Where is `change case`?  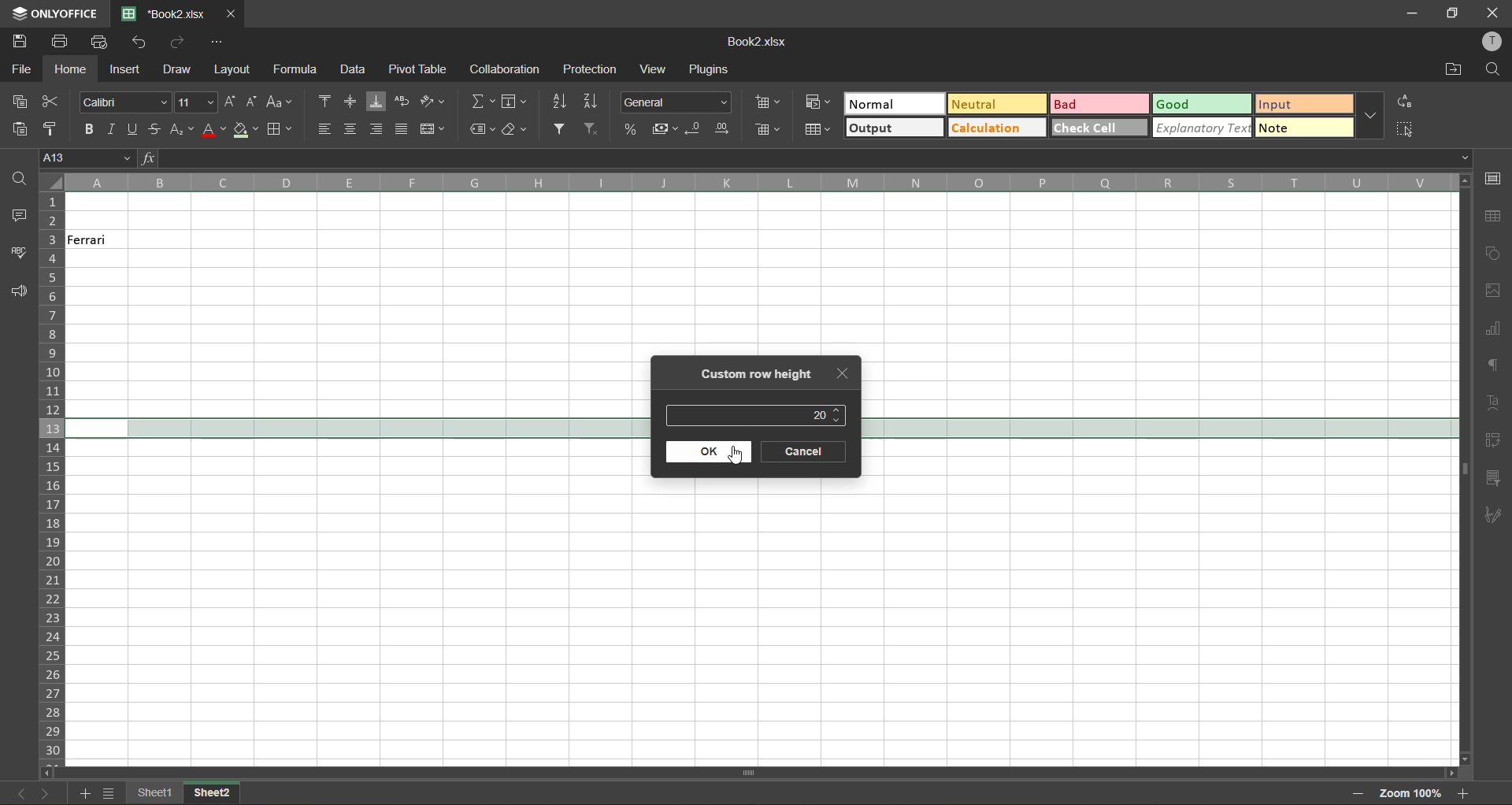 change case is located at coordinates (281, 103).